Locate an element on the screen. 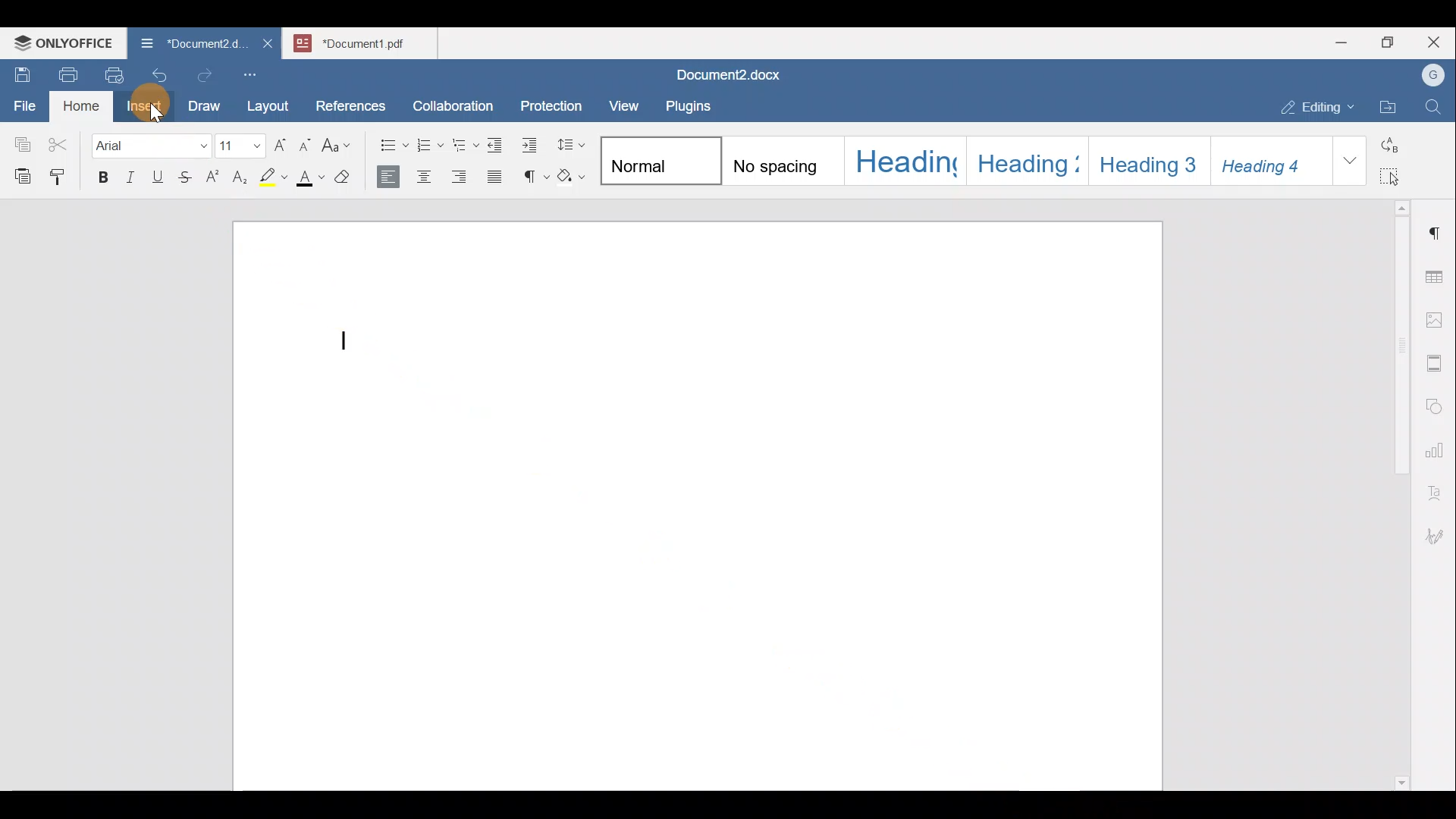 The image size is (1456, 819). Increase indent is located at coordinates (531, 145).